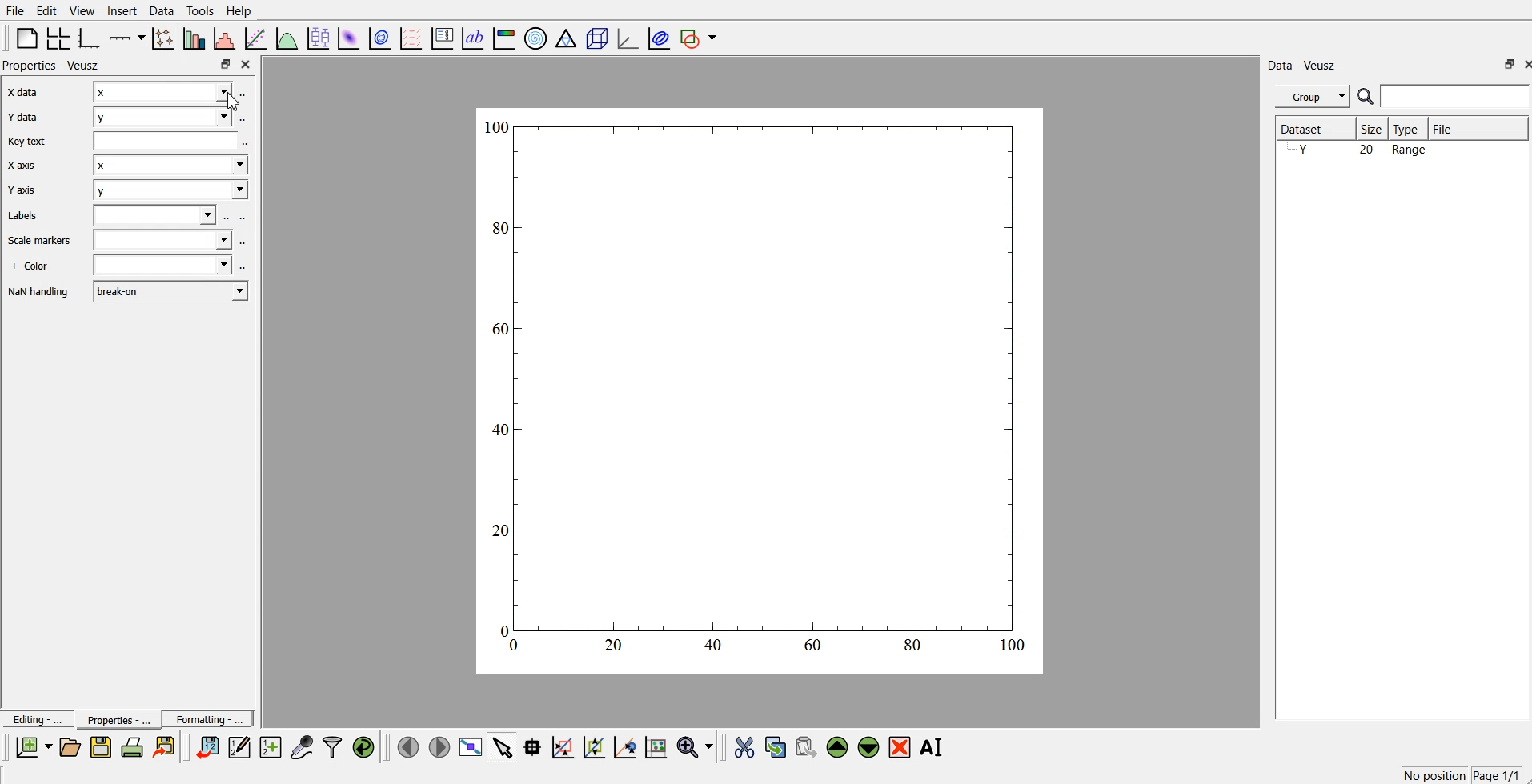  I want to click on New document, so click(34, 747).